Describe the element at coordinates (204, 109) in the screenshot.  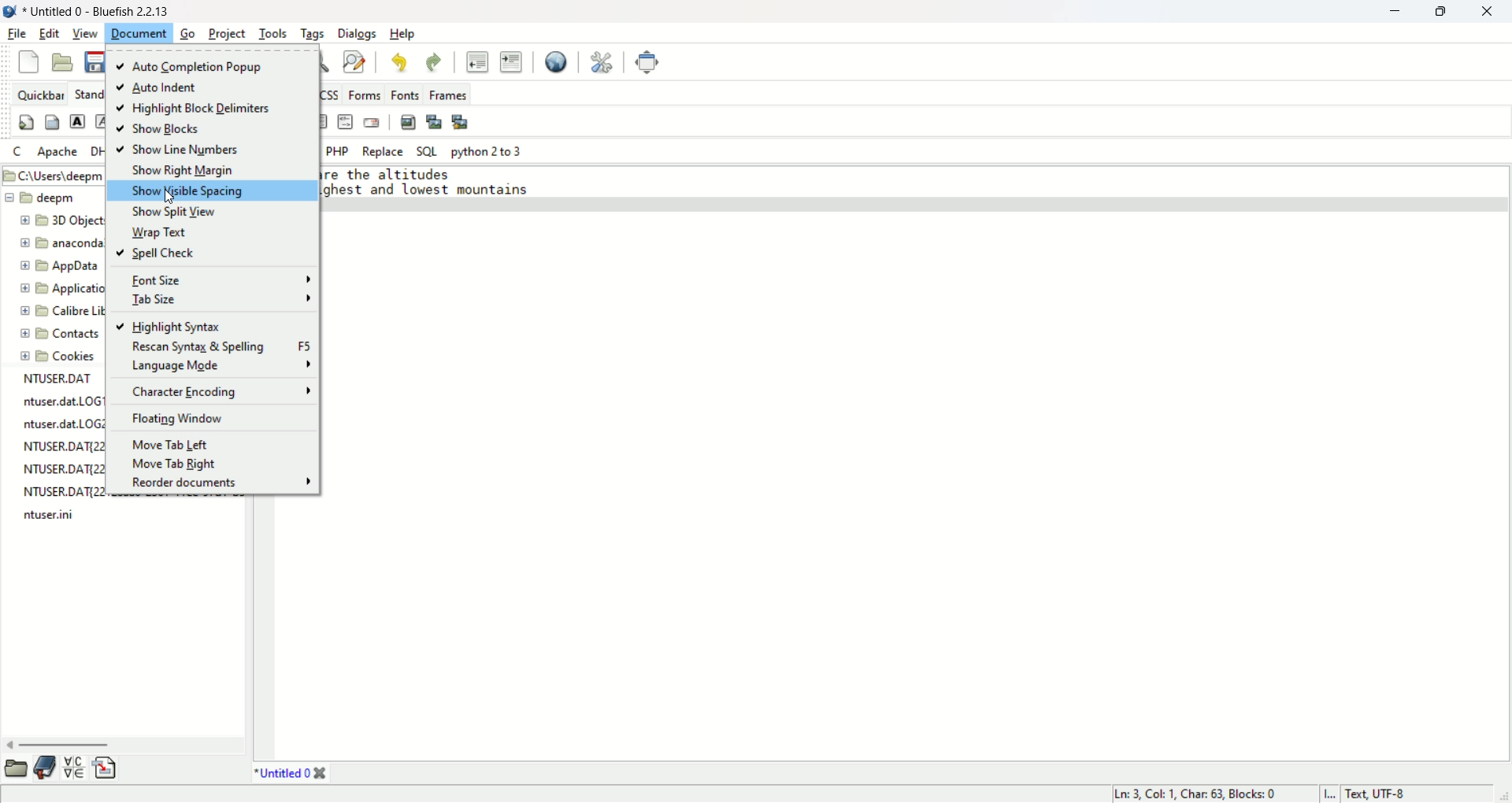
I see `highlight block delimiters` at that location.